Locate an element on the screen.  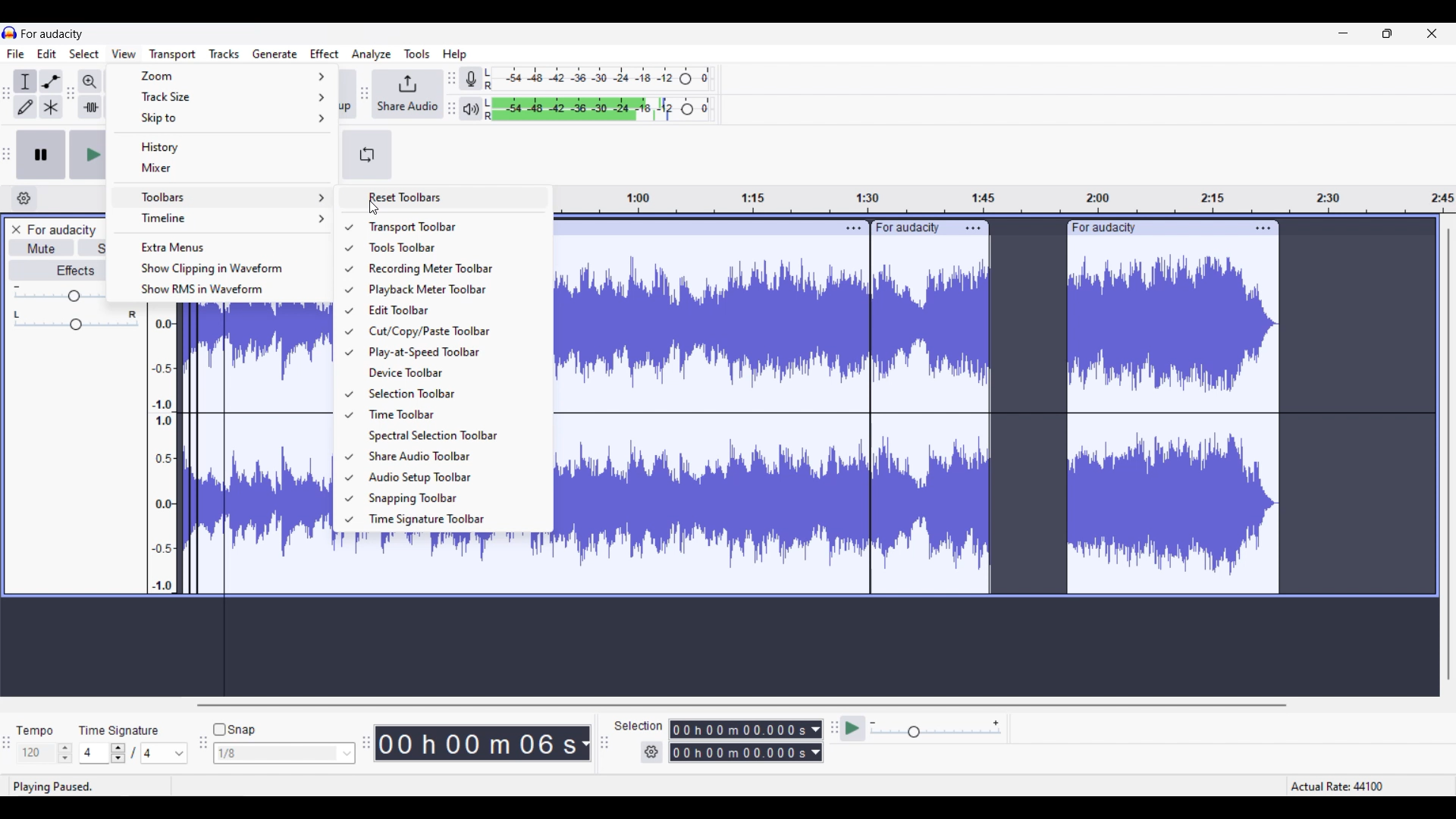
Playback meter toolbar is located at coordinates (450, 290).